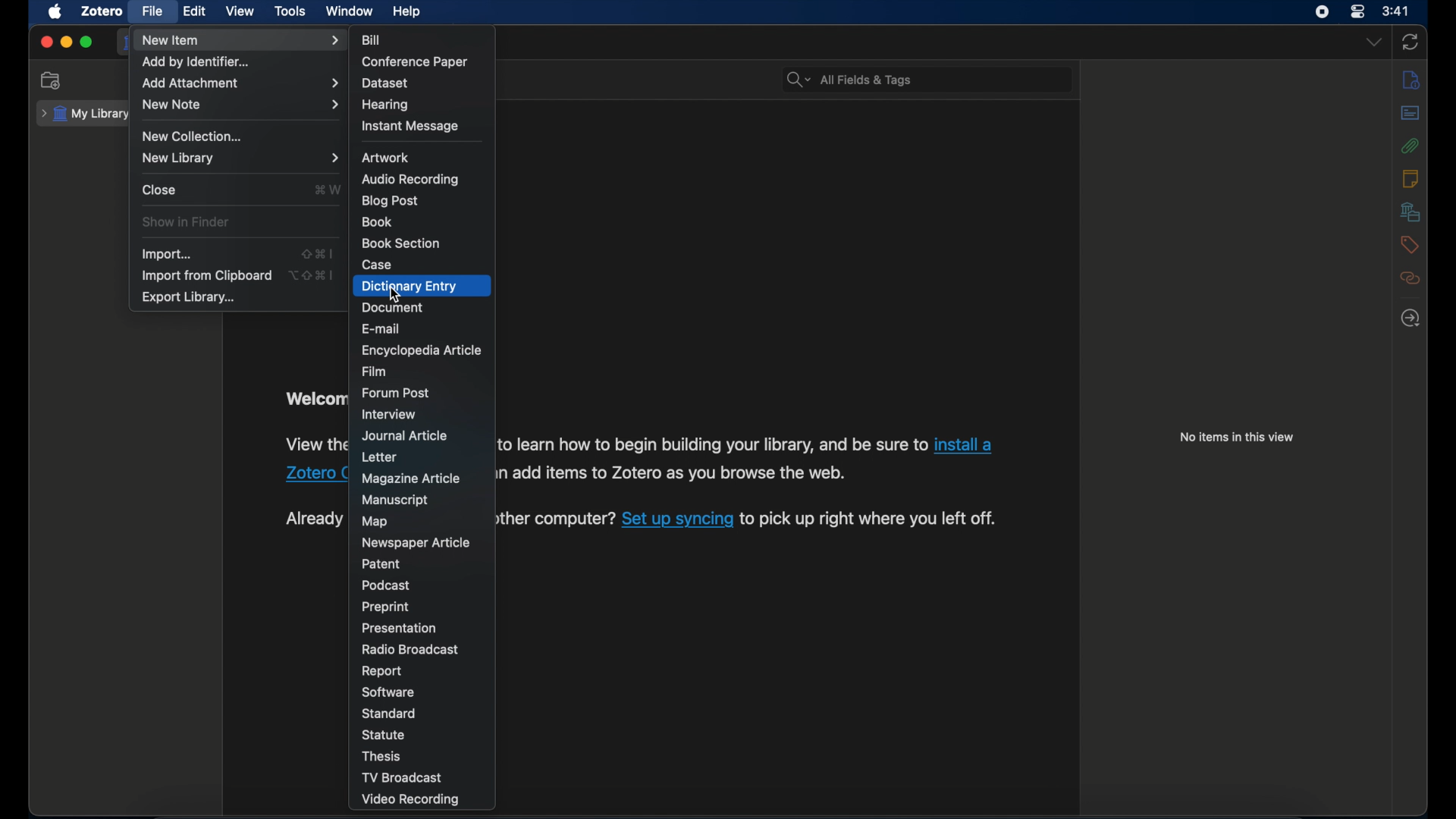 The width and height of the screenshot is (1456, 819). Describe the element at coordinates (1357, 11) in the screenshot. I see `control center` at that location.